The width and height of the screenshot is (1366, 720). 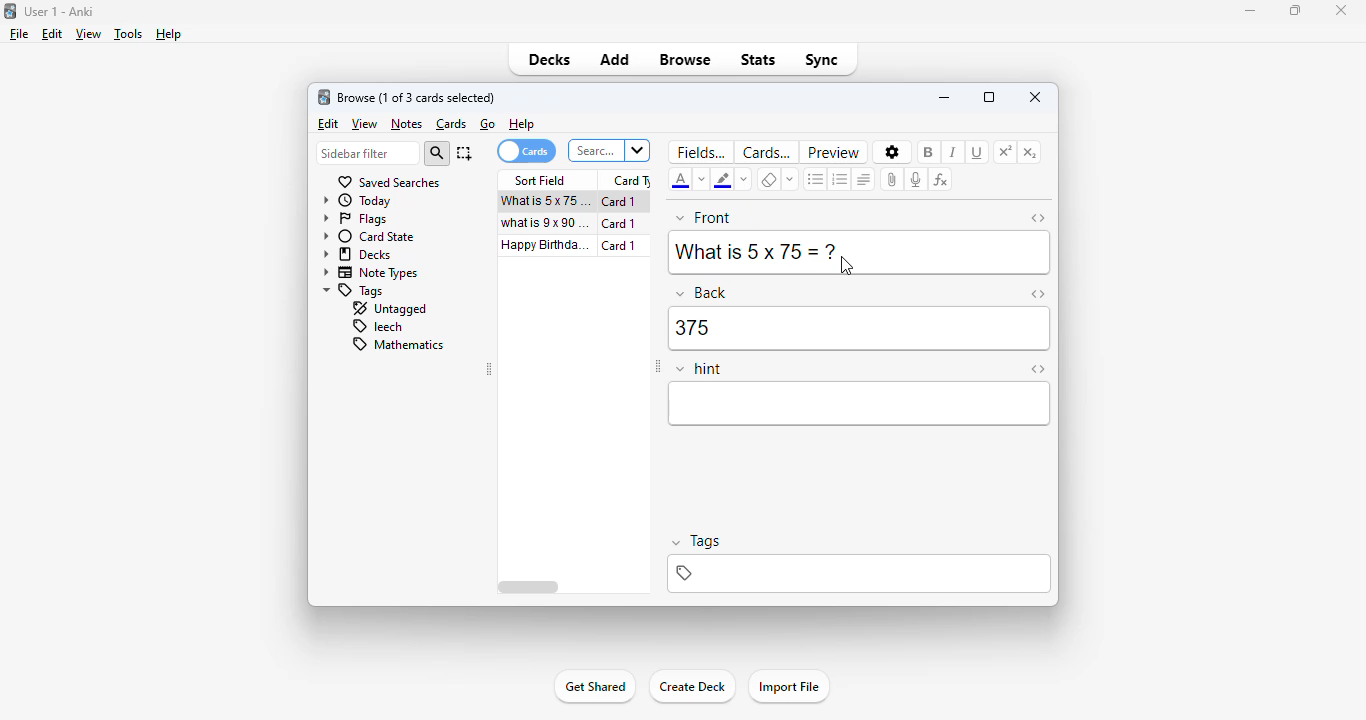 I want to click on cursor, so click(x=846, y=266).